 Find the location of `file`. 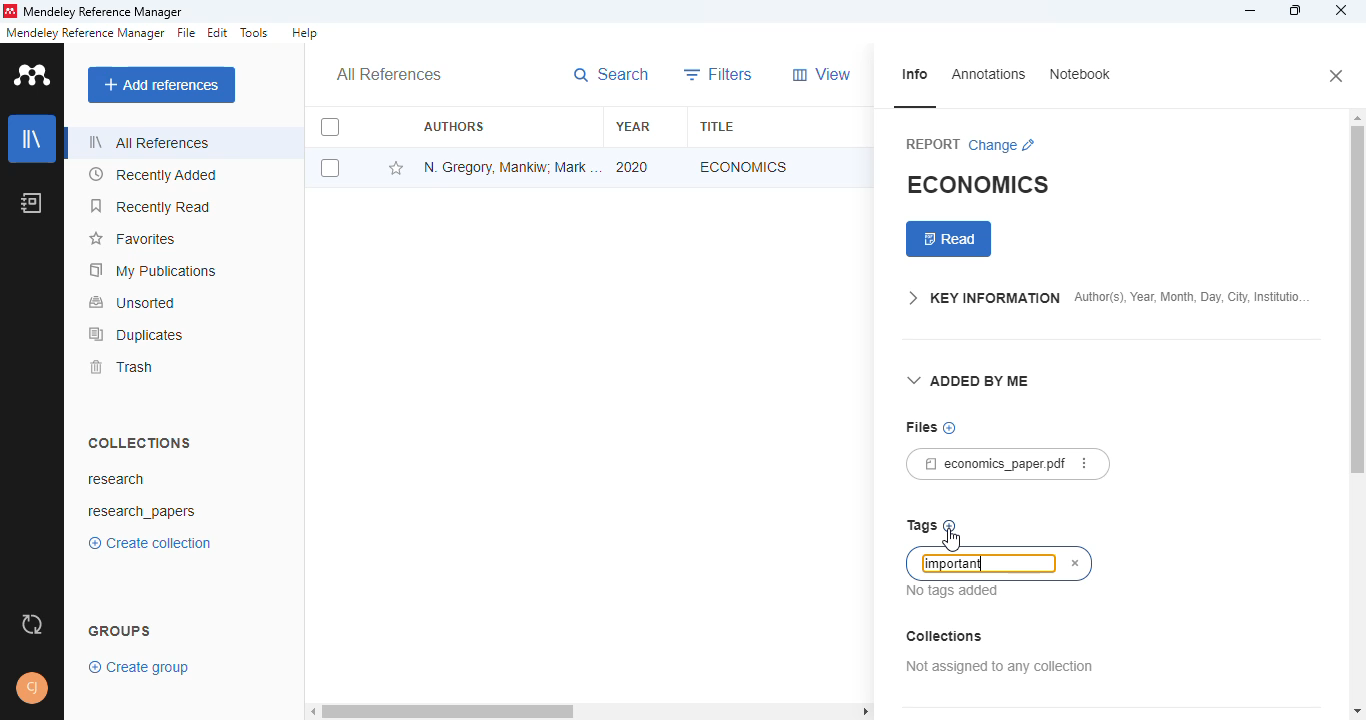

file is located at coordinates (187, 33).